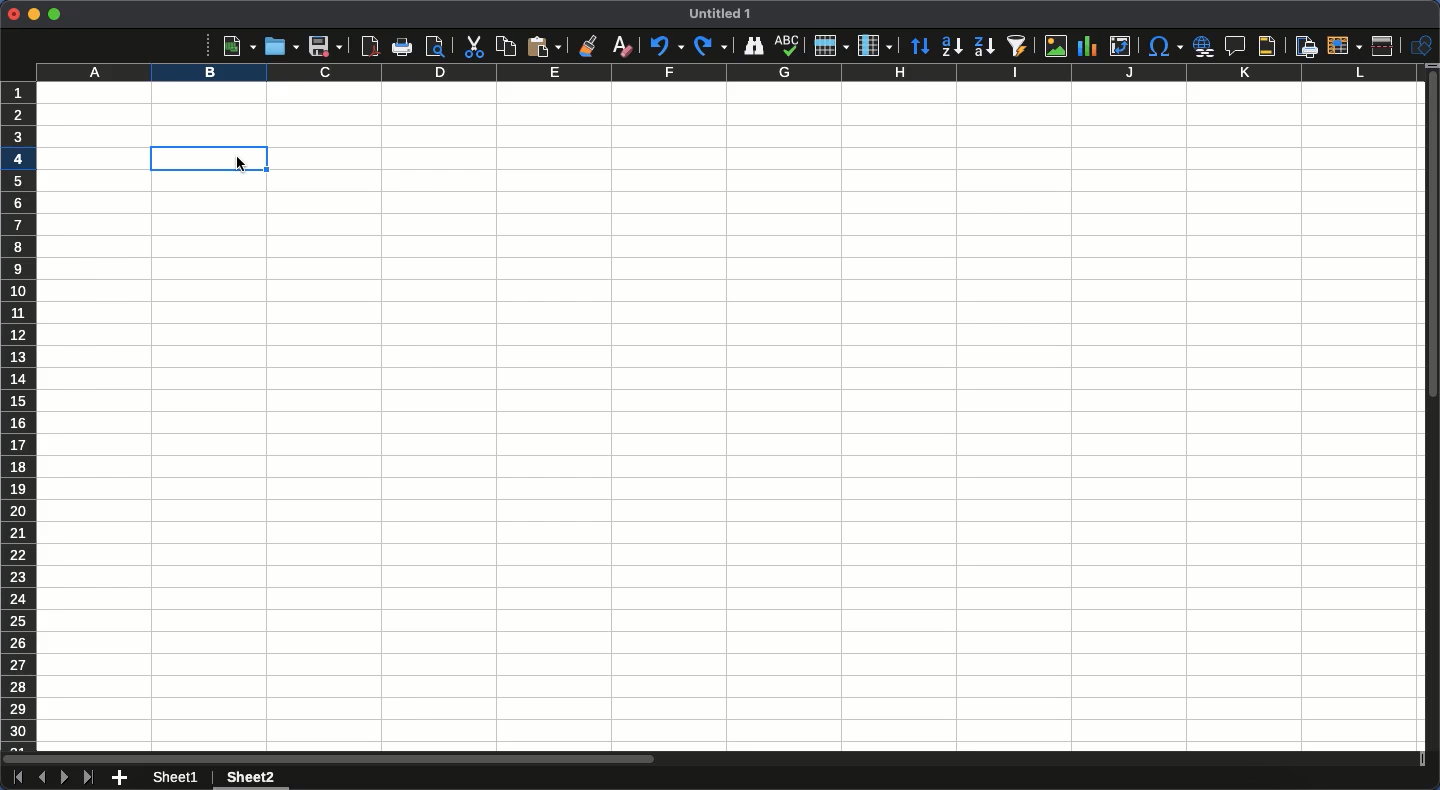 The width and height of the screenshot is (1440, 790). Describe the element at coordinates (544, 46) in the screenshot. I see `Paste` at that location.